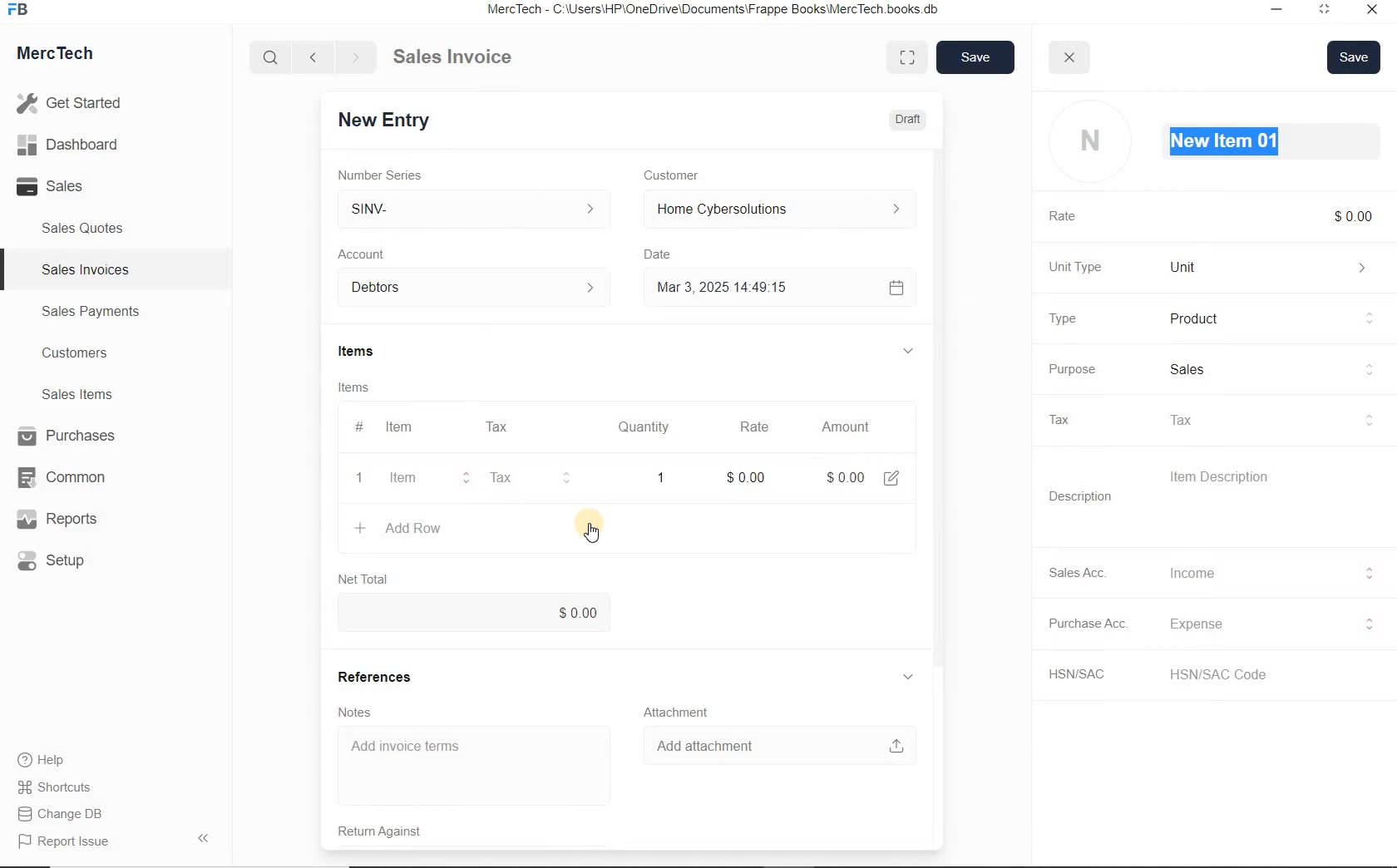 The height and width of the screenshot is (868, 1397). What do you see at coordinates (1086, 674) in the screenshot?
I see `HSN/SAC` at bounding box center [1086, 674].